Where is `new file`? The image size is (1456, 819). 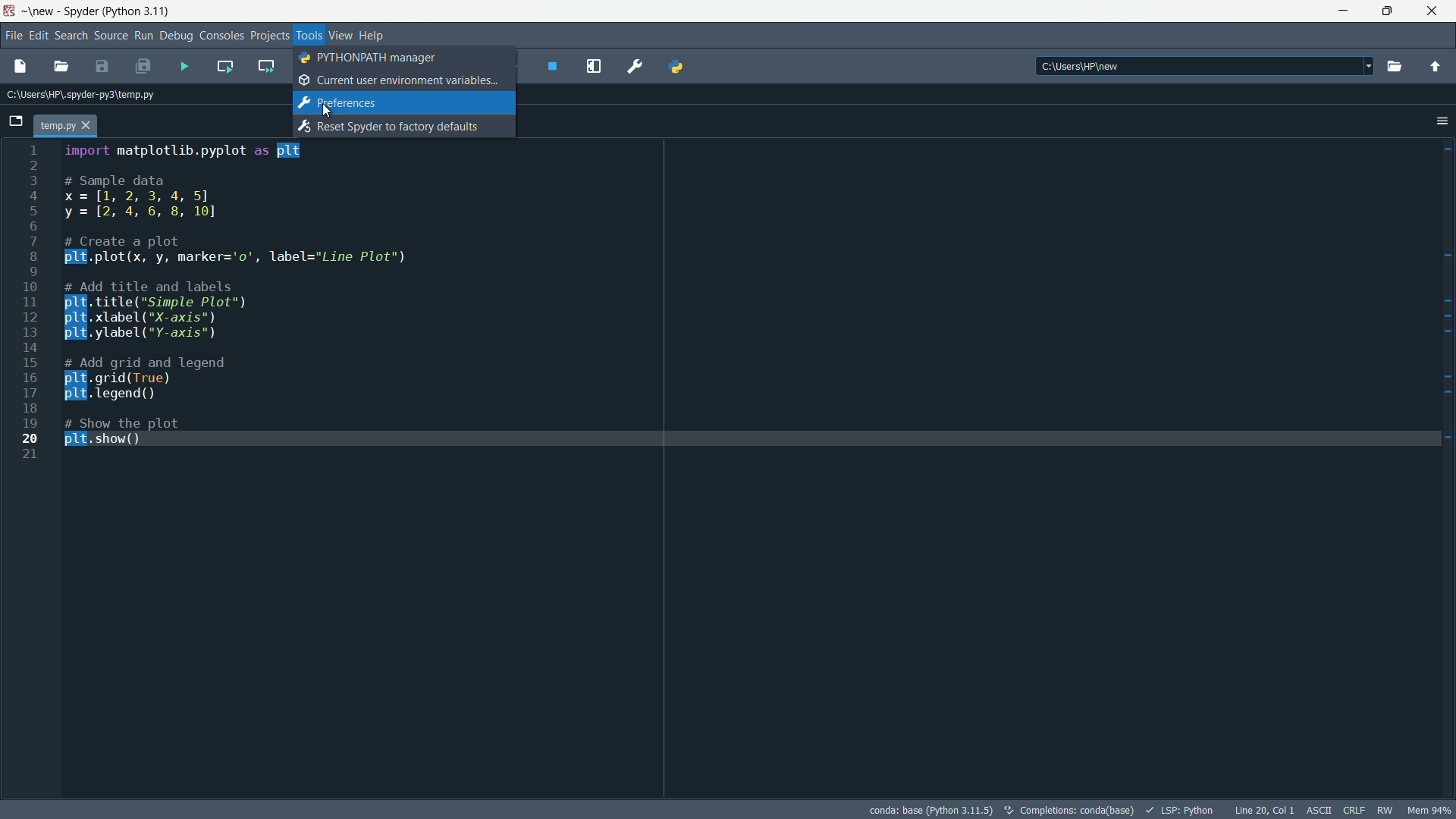 new file is located at coordinates (17, 67).